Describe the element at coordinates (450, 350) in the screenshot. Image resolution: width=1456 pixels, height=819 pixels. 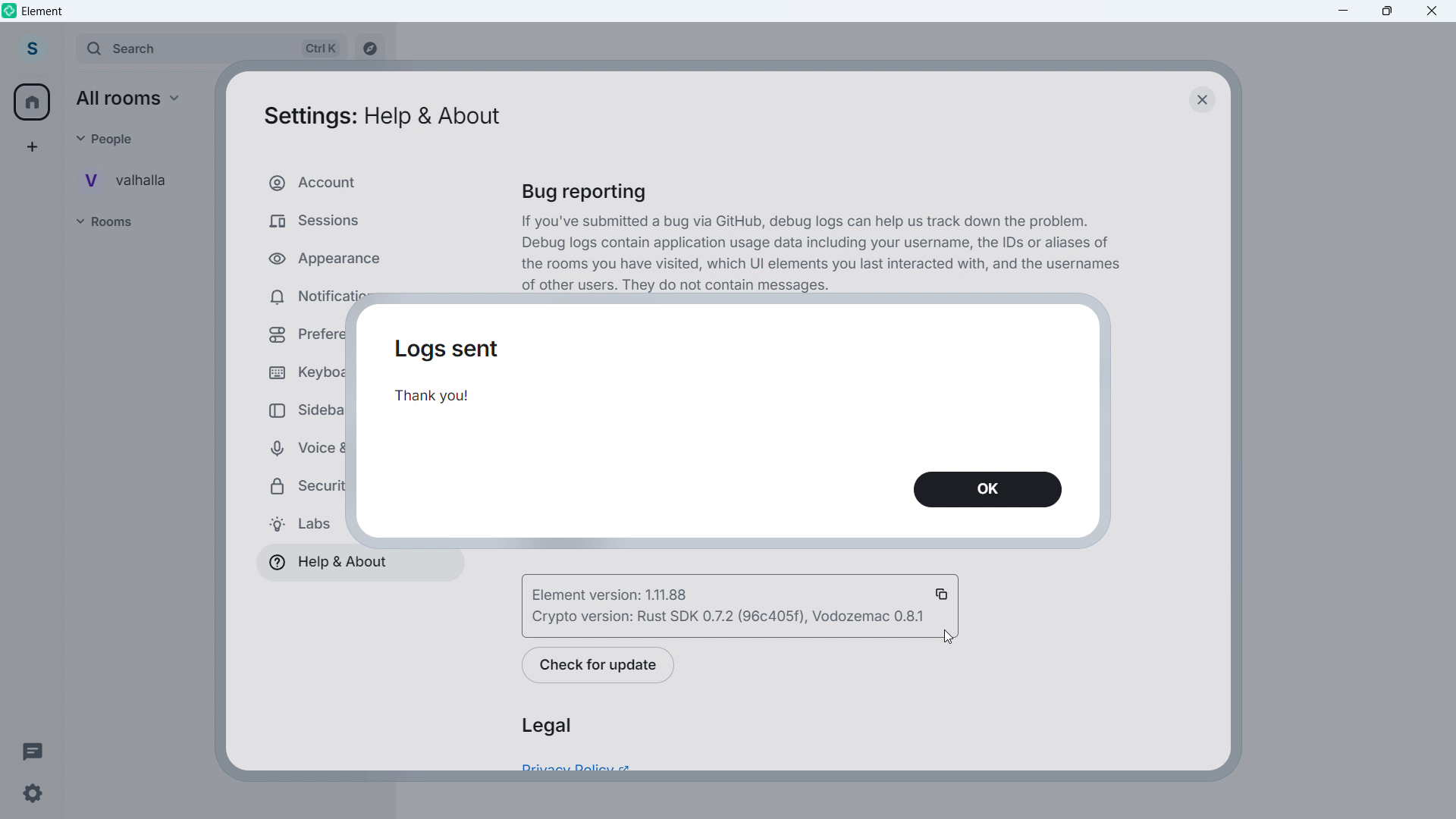
I see `Logs sent ` at that location.